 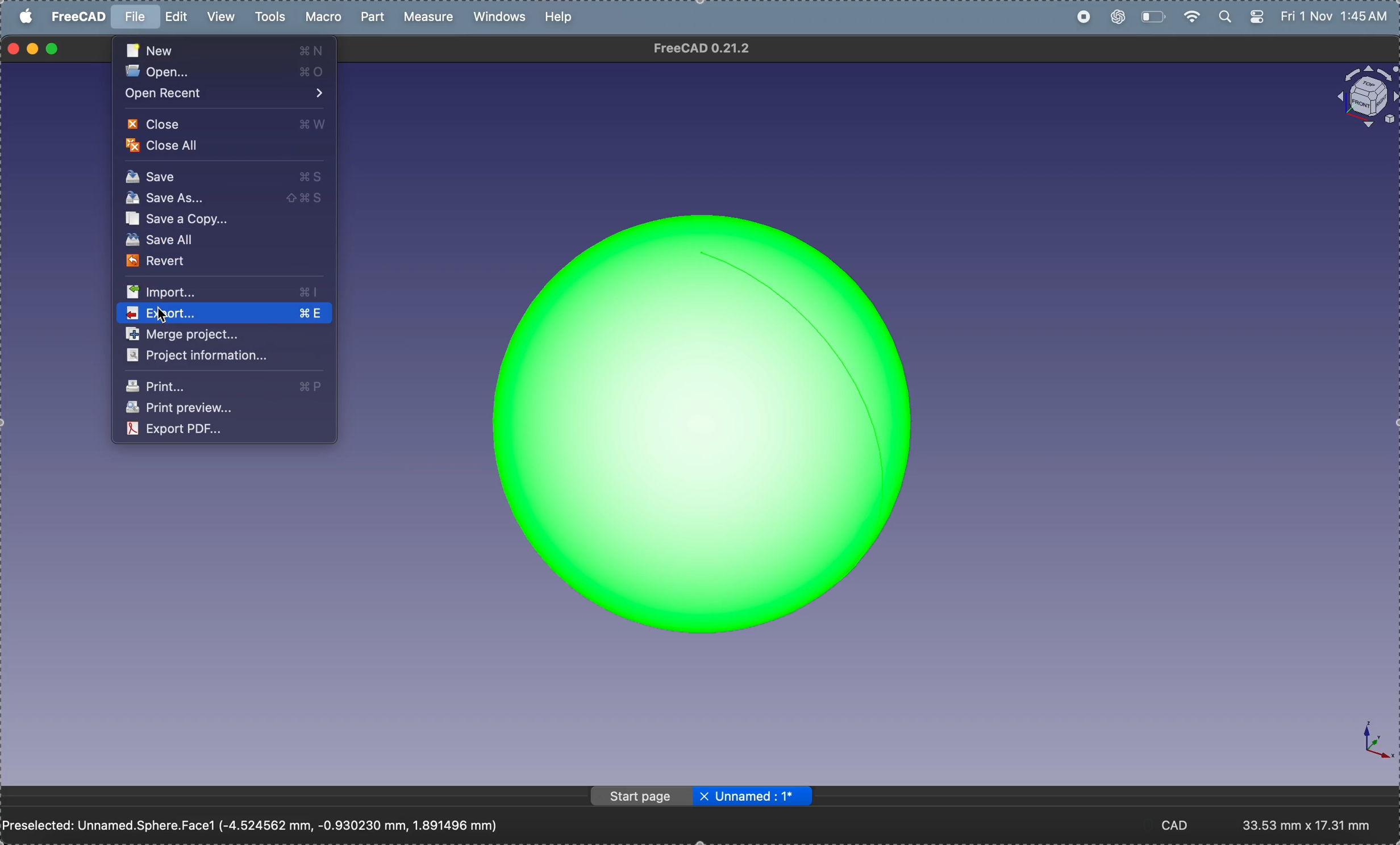 What do you see at coordinates (228, 71) in the screenshot?
I see `open` at bounding box center [228, 71].